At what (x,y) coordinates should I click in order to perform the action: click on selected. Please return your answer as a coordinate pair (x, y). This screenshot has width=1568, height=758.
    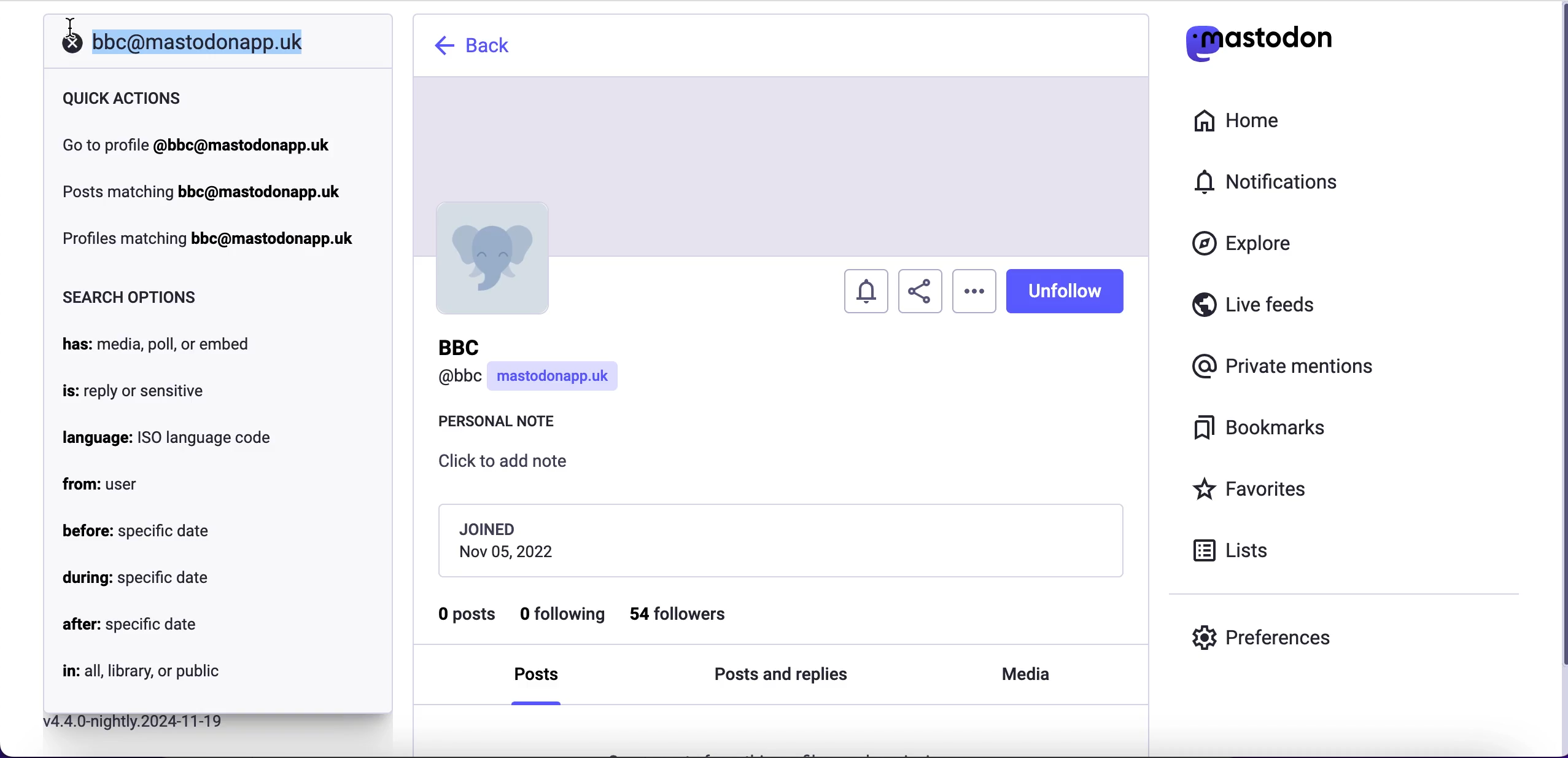
    Looking at the image, I should click on (195, 42).